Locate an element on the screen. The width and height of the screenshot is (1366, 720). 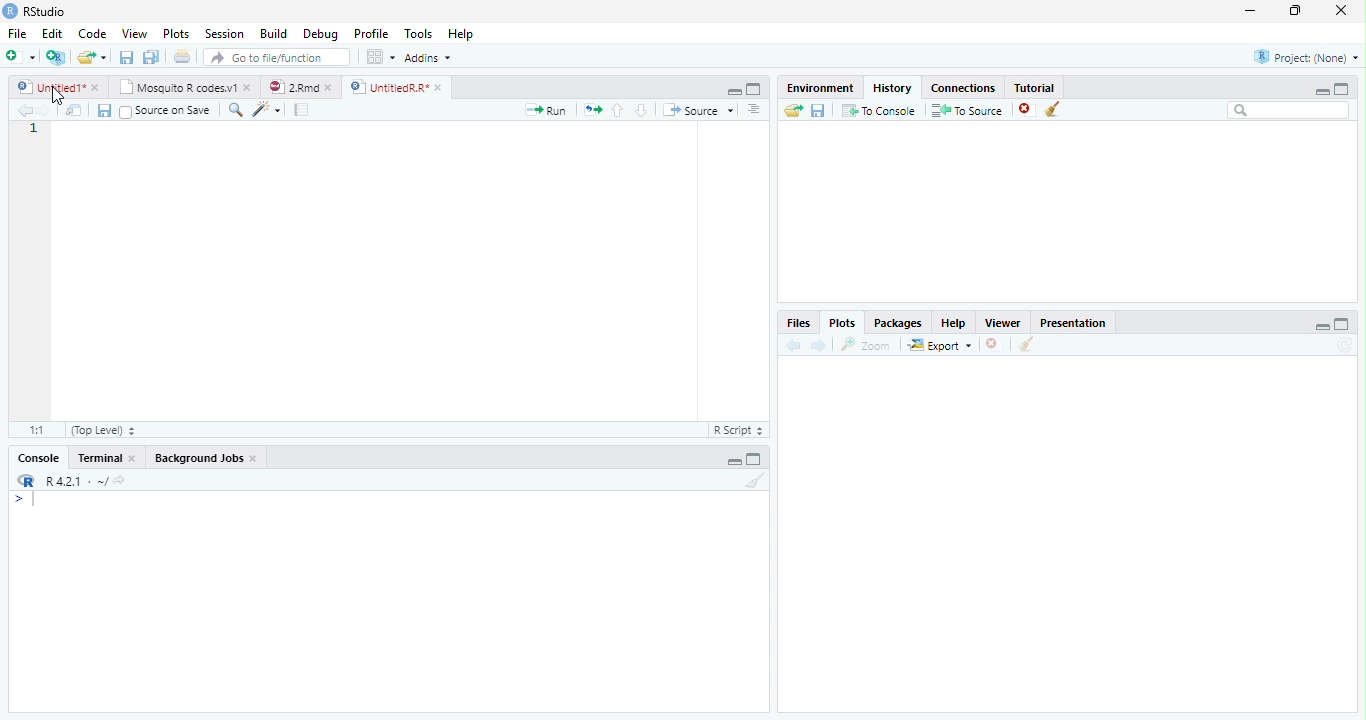
Help is located at coordinates (954, 322).